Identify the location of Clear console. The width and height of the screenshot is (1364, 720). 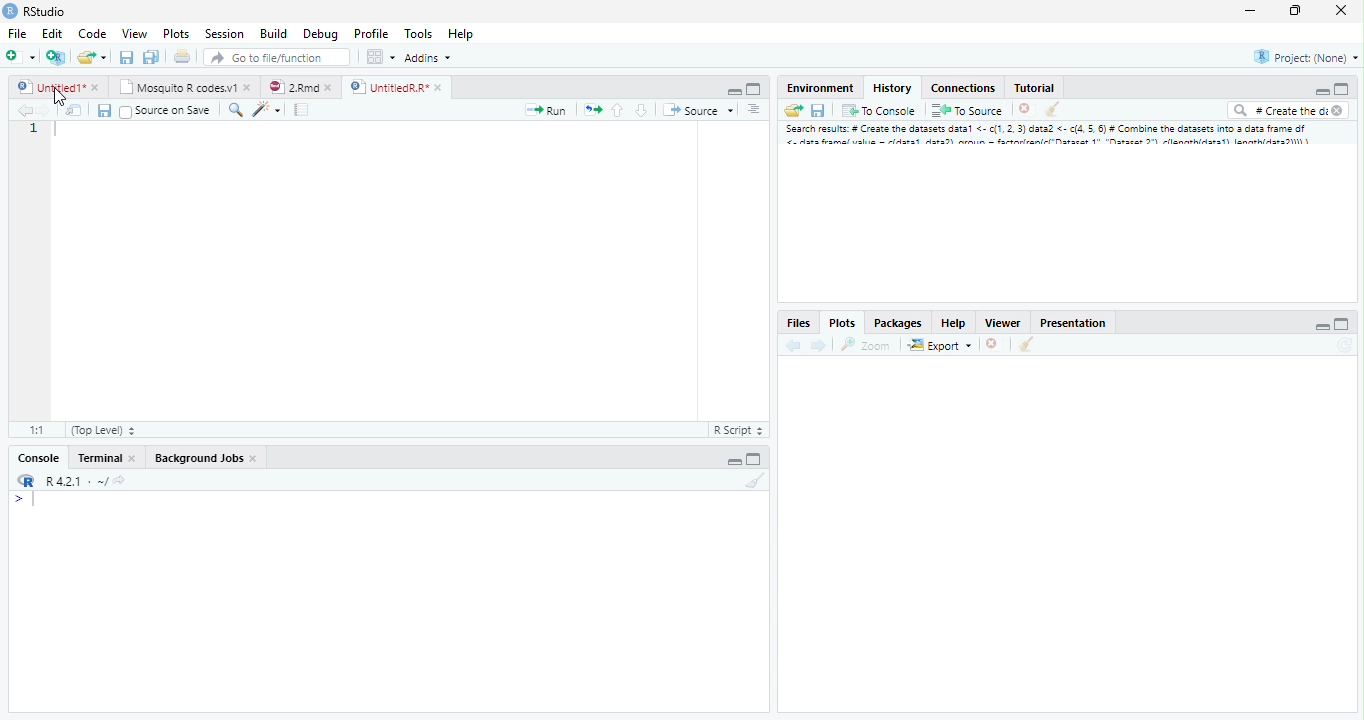
(1055, 111).